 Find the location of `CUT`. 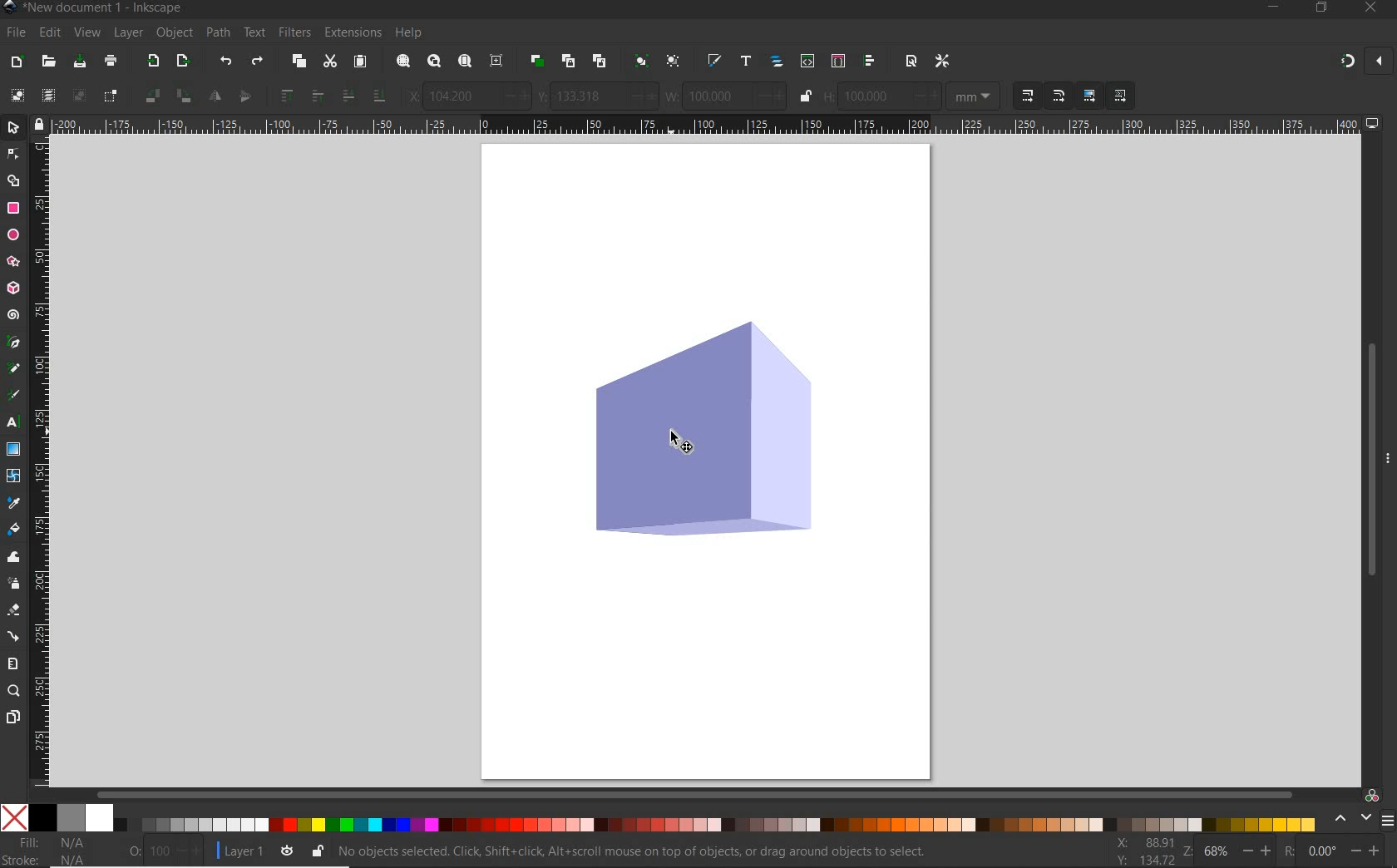

CUT is located at coordinates (331, 62).